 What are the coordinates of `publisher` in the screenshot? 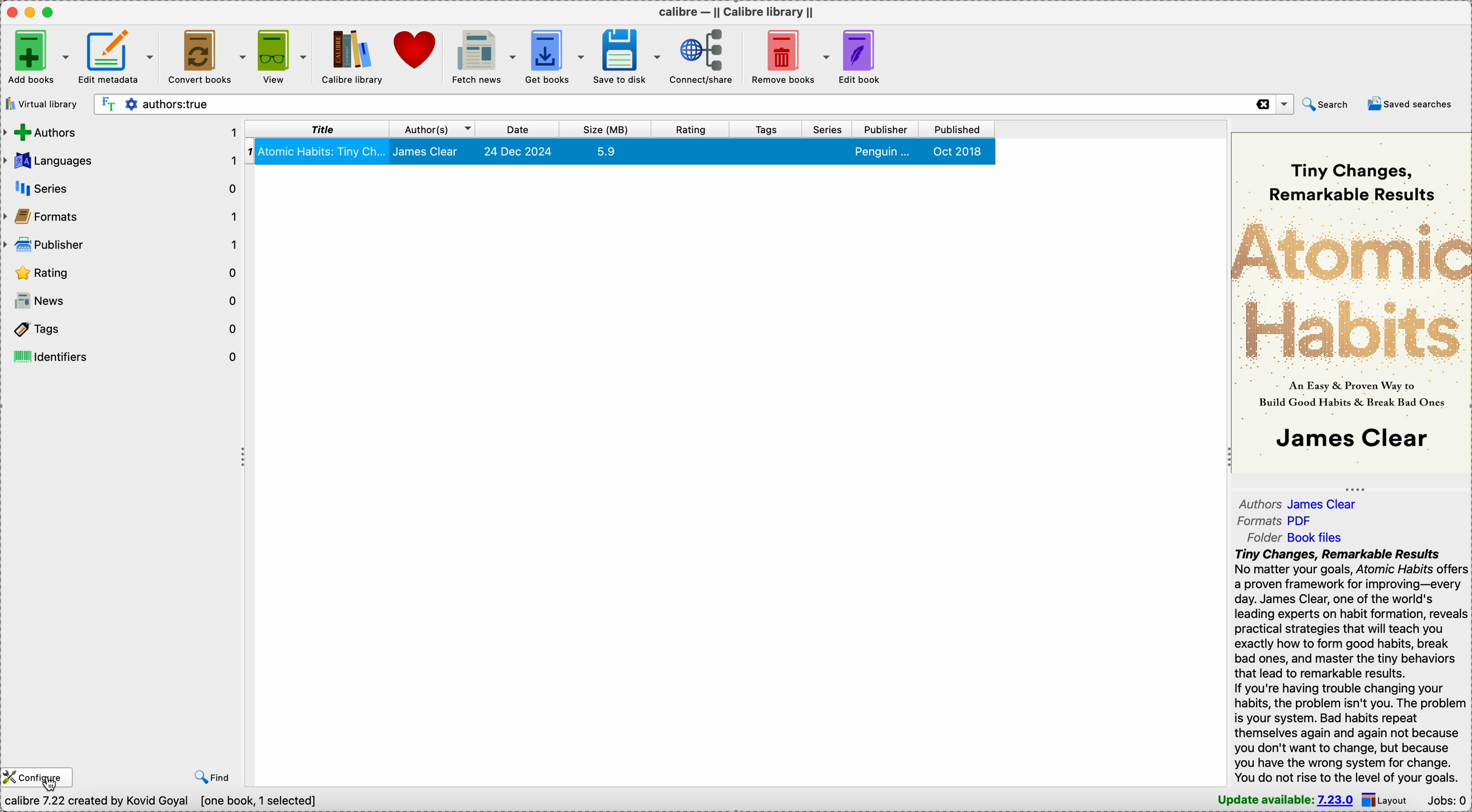 It's located at (887, 129).